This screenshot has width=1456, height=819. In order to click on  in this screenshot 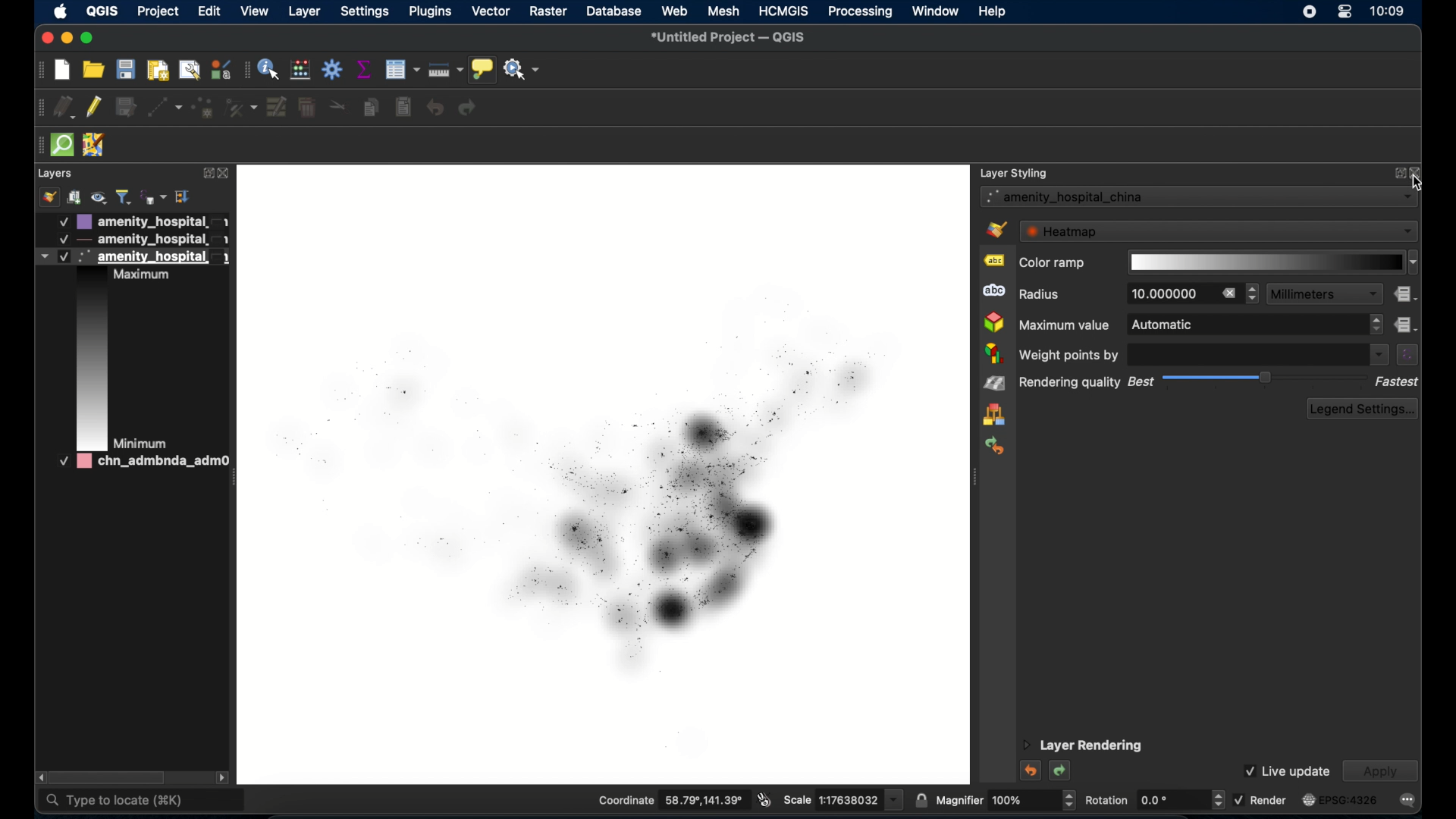, I will do `click(108, 777)`.